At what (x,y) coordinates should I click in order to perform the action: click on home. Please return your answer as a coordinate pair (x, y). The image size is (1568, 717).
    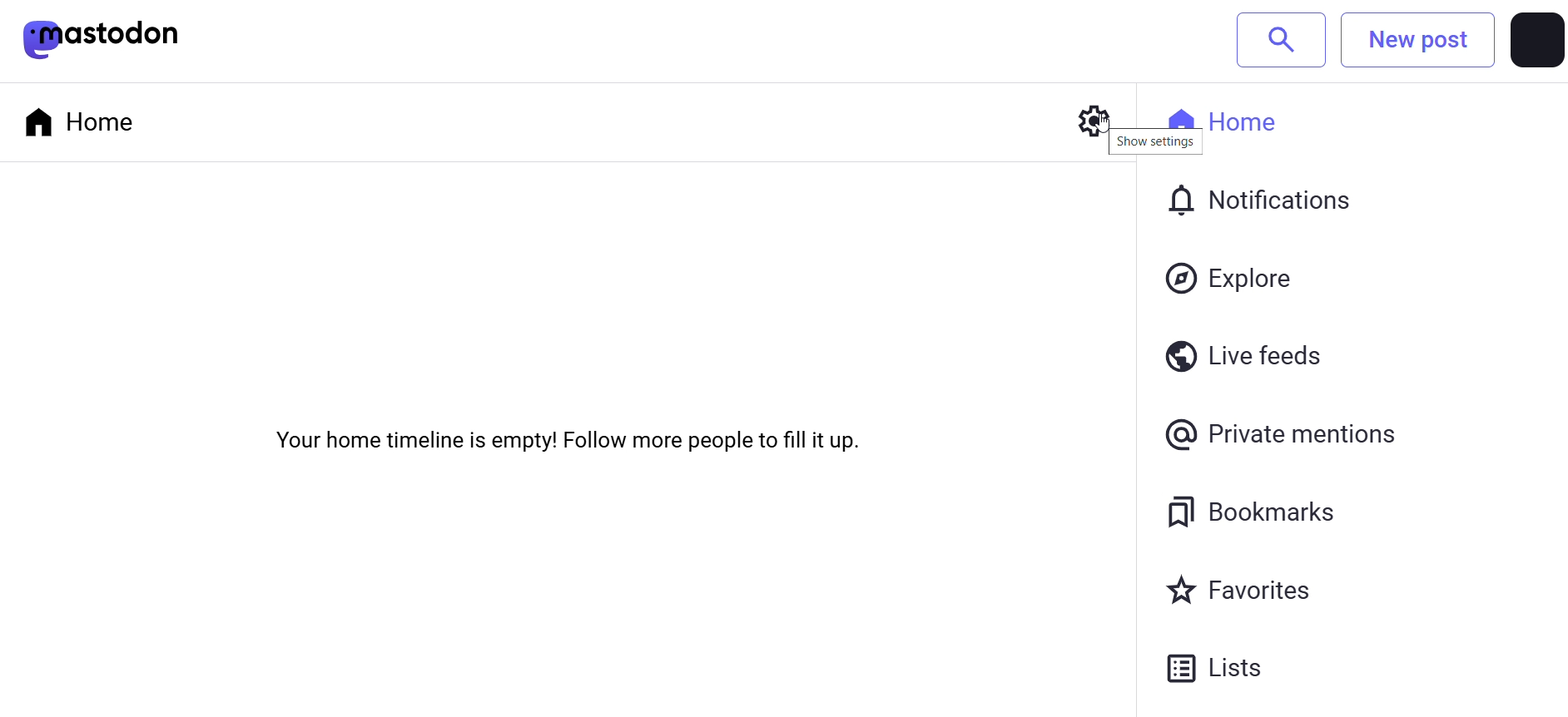
    Looking at the image, I should click on (1253, 116).